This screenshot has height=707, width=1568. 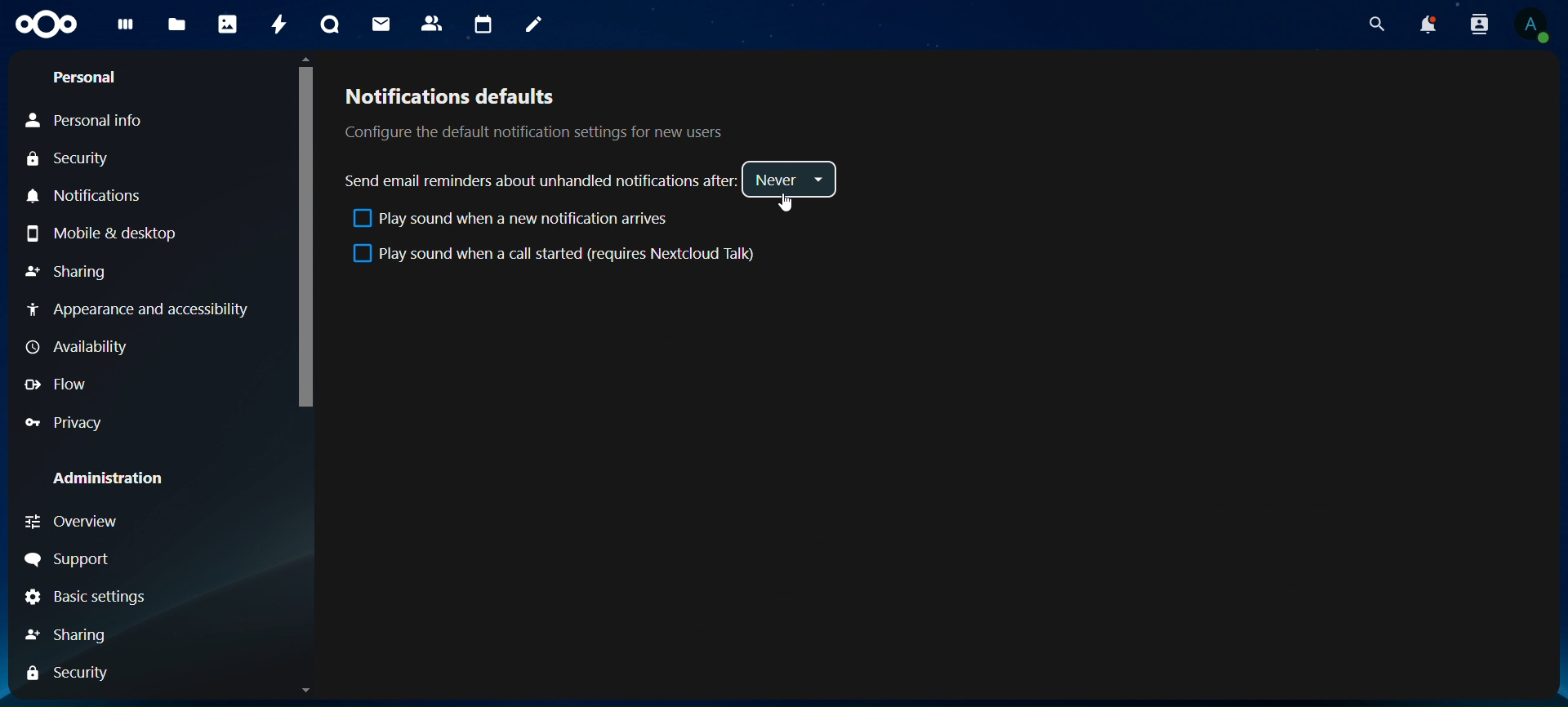 What do you see at coordinates (147, 313) in the screenshot?
I see `Appearance and accessibility` at bounding box center [147, 313].